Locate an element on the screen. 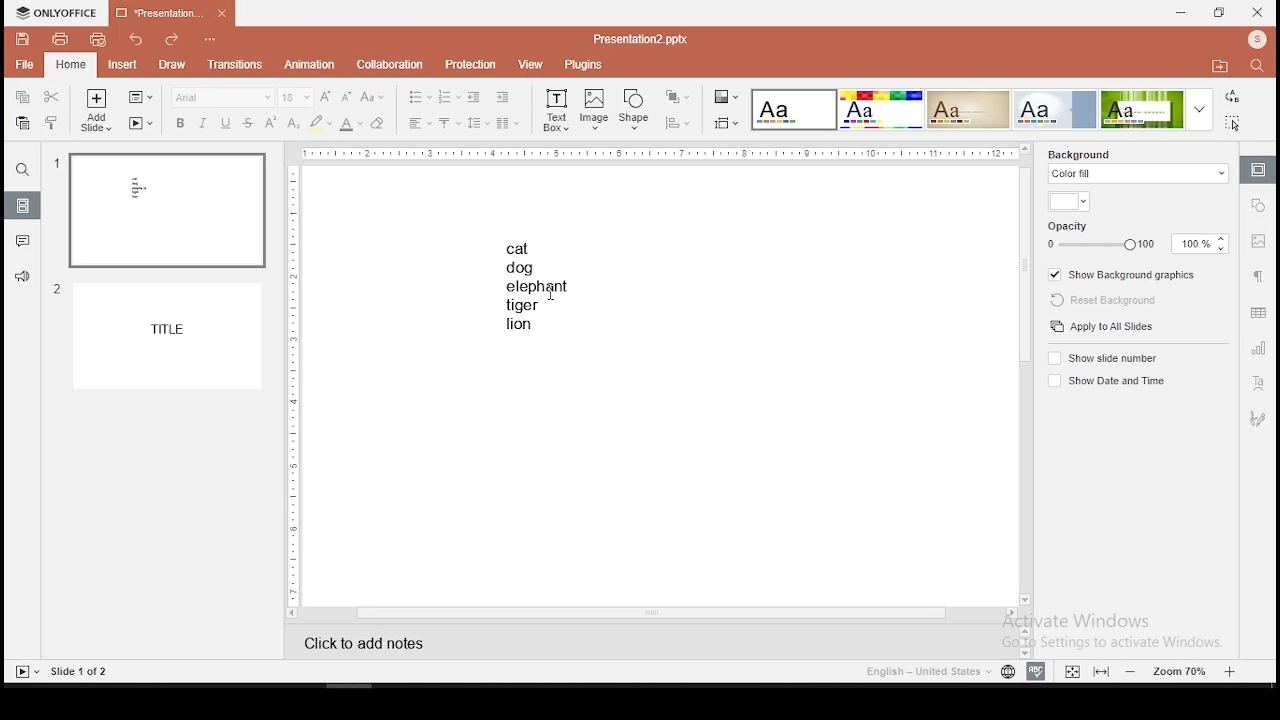 The width and height of the screenshot is (1280, 720). text art tool is located at coordinates (1259, 384).